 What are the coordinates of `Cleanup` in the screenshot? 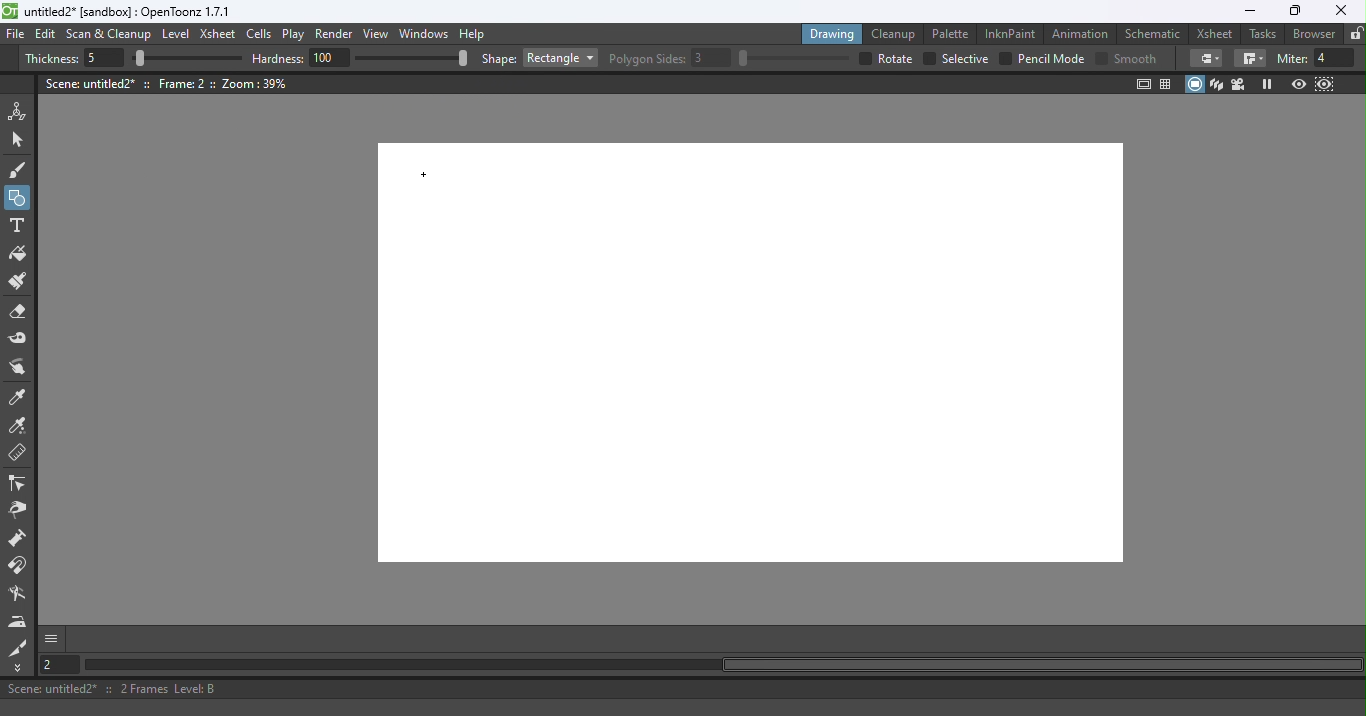 It's located at (897, 33).